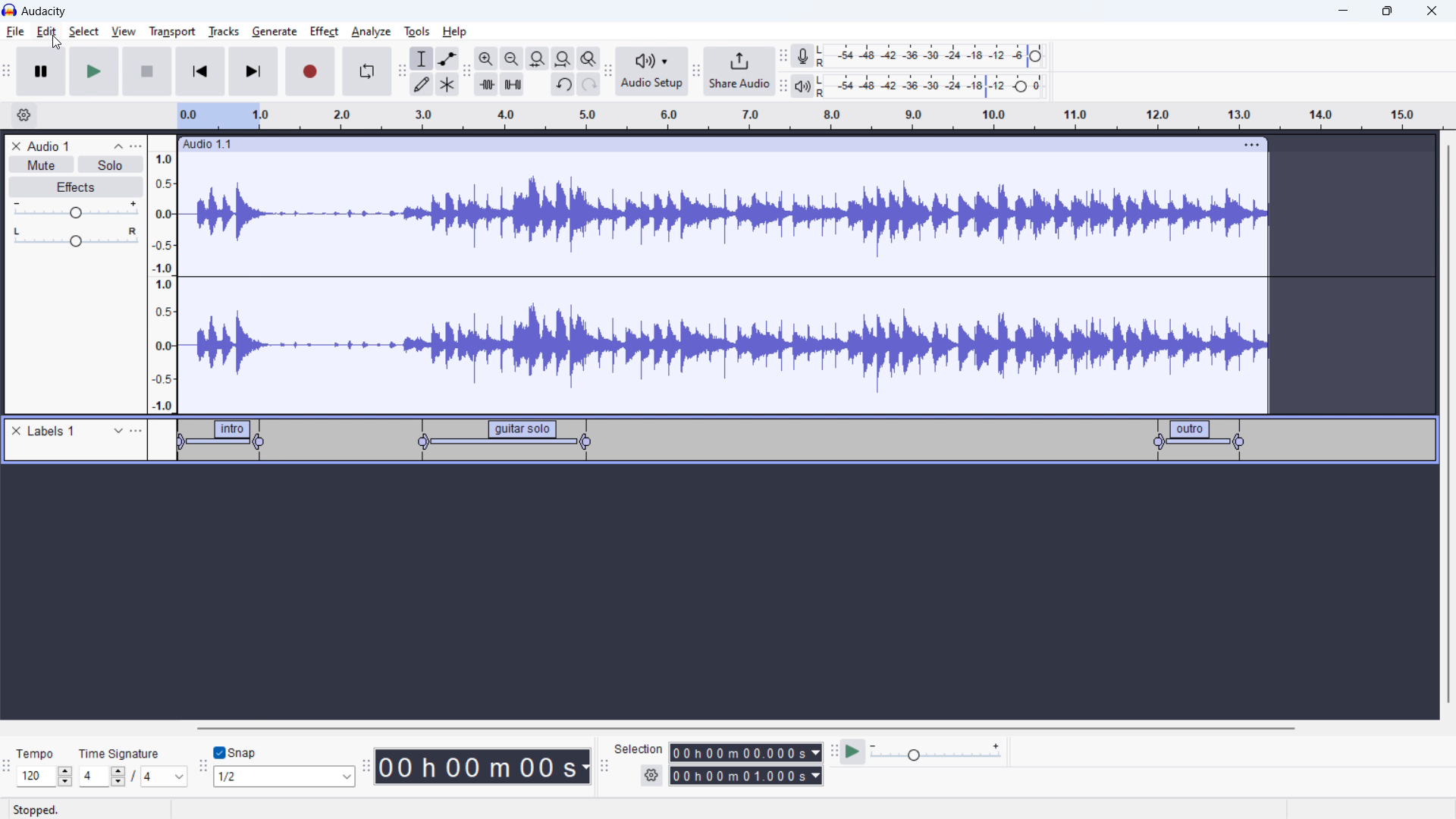  Describe the element at coordinates (940, 56) in the screenshot. I see `recording level` at that location.